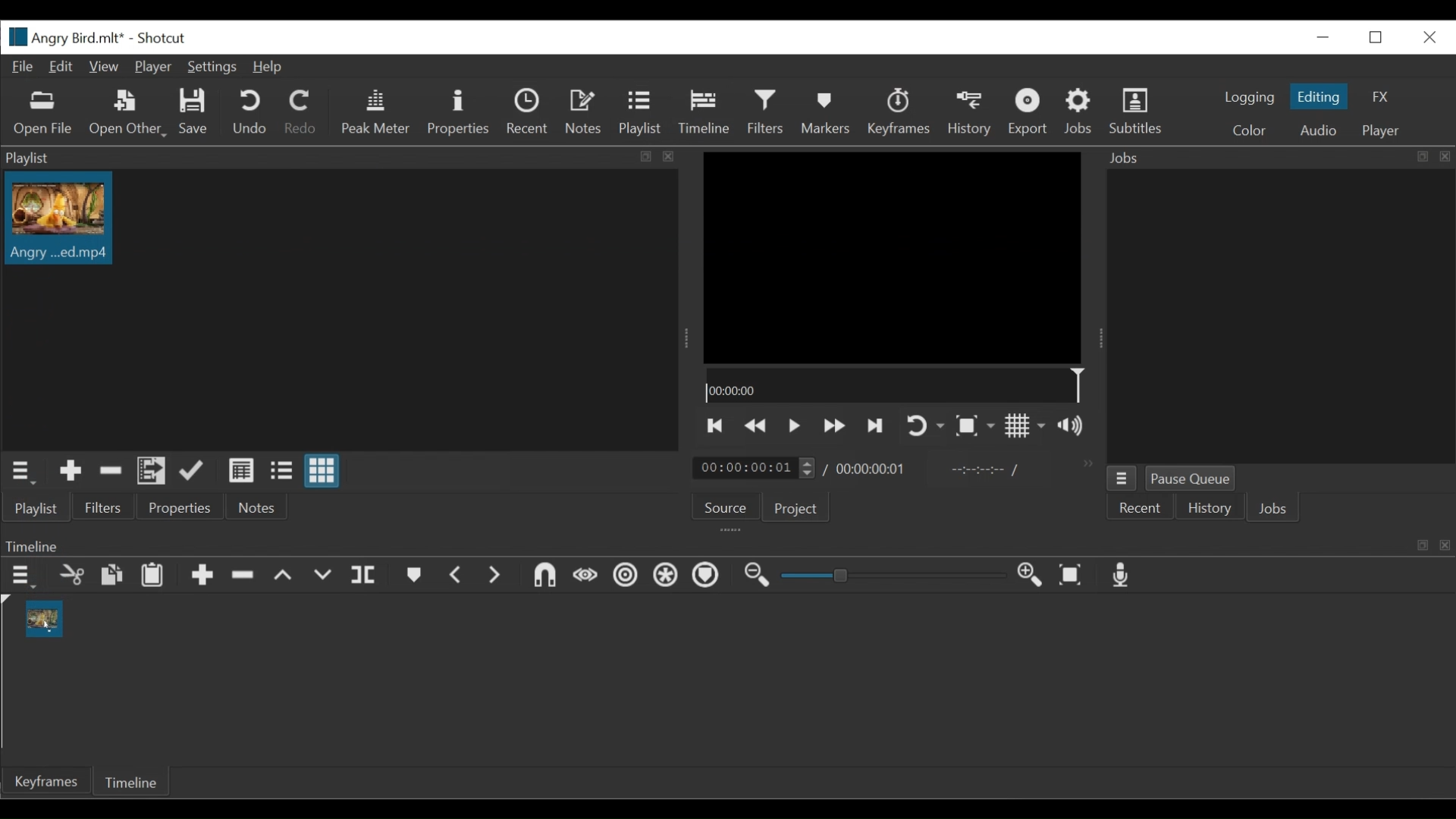 This screenshot has height=819, width=1456. What do you see at coordinates (281, 472) in the screenshot?
I see `View as files` at bounding box center [281, 472].